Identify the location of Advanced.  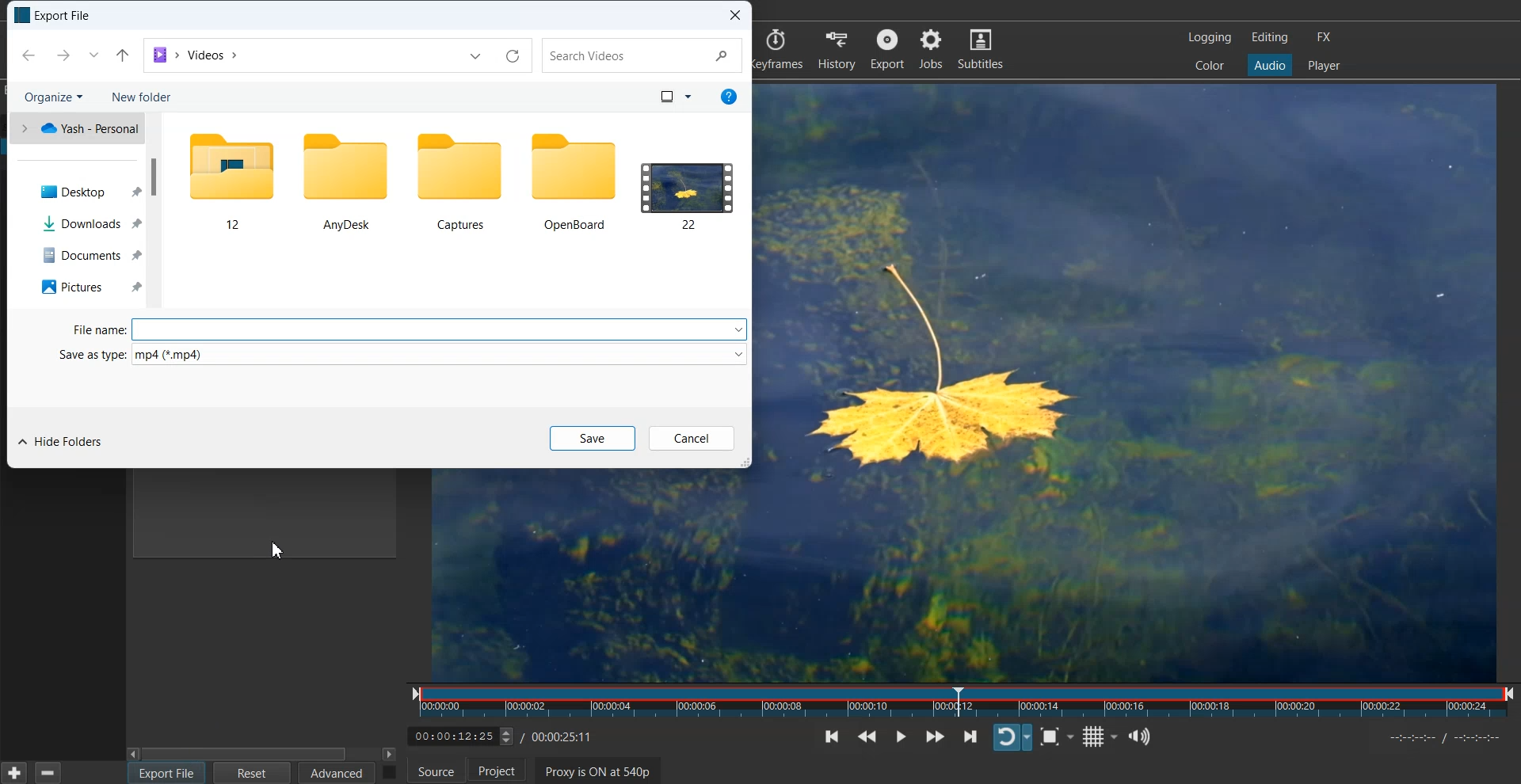
(338, 773).